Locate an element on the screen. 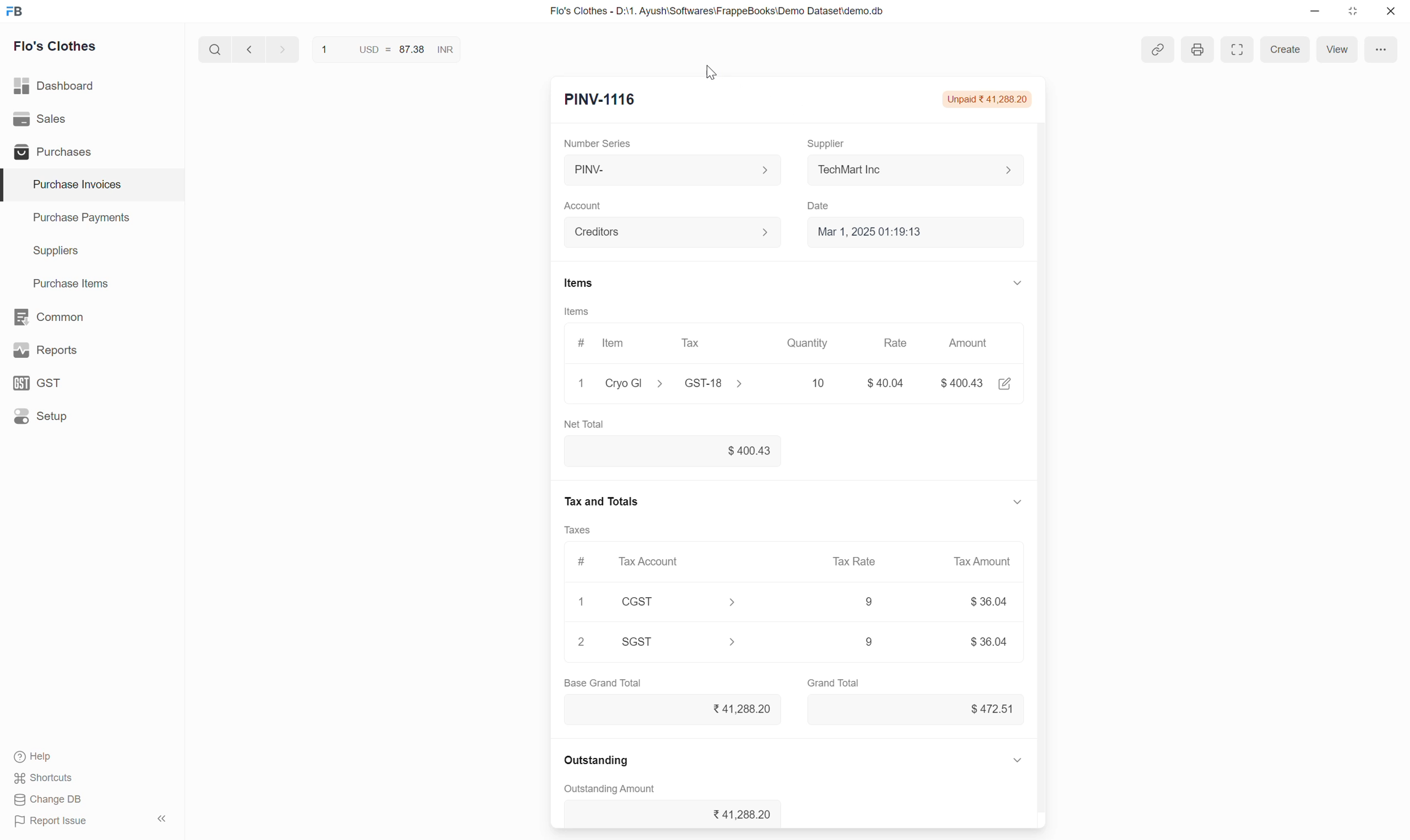 The width and height of the screenshot is (1410, 840). Mar 1, 2025 01:19:13  is located at coordinates (918, 233).